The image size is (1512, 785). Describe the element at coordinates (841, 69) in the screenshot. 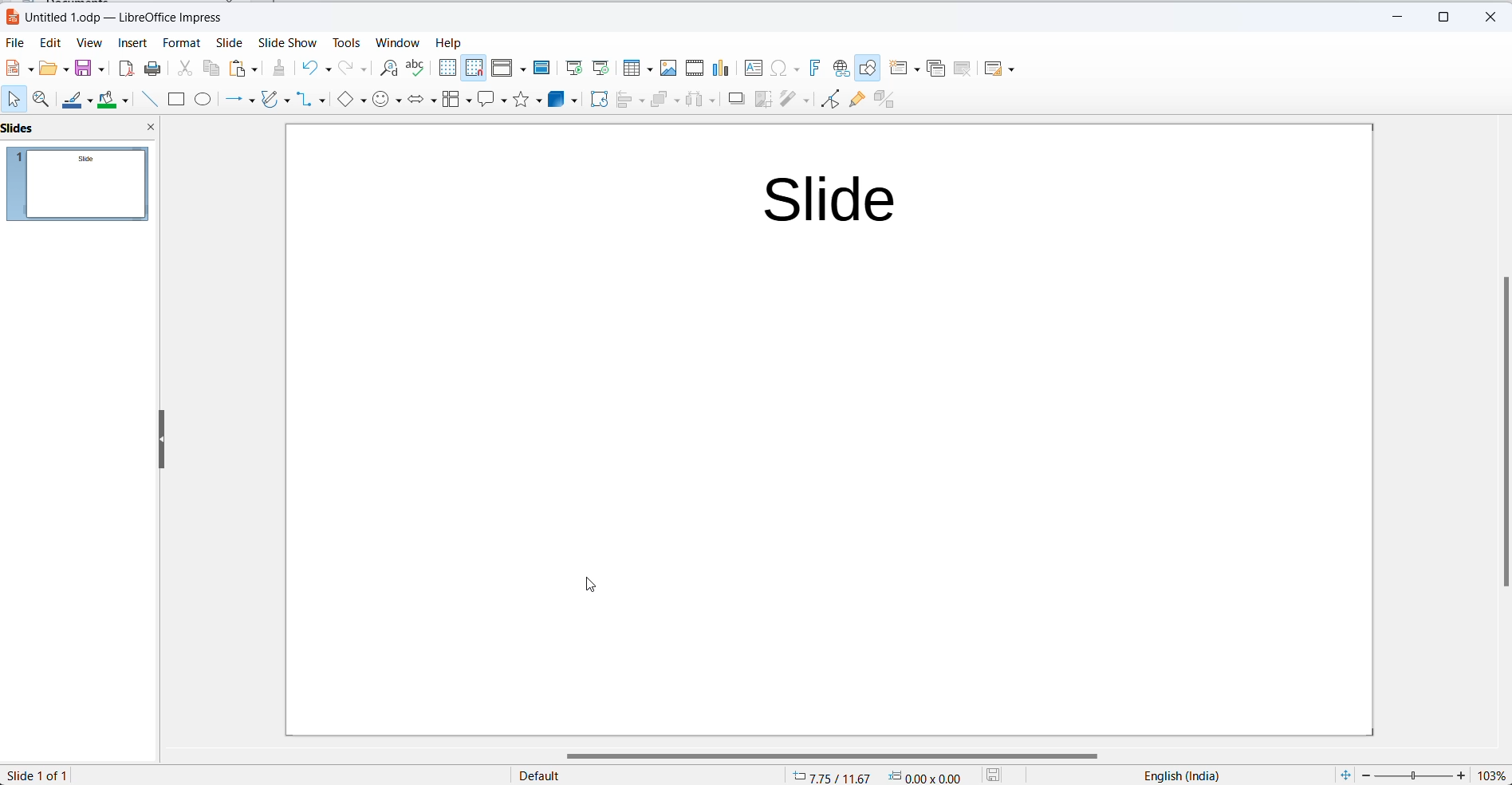

I see `insert hyperlink` at that location.